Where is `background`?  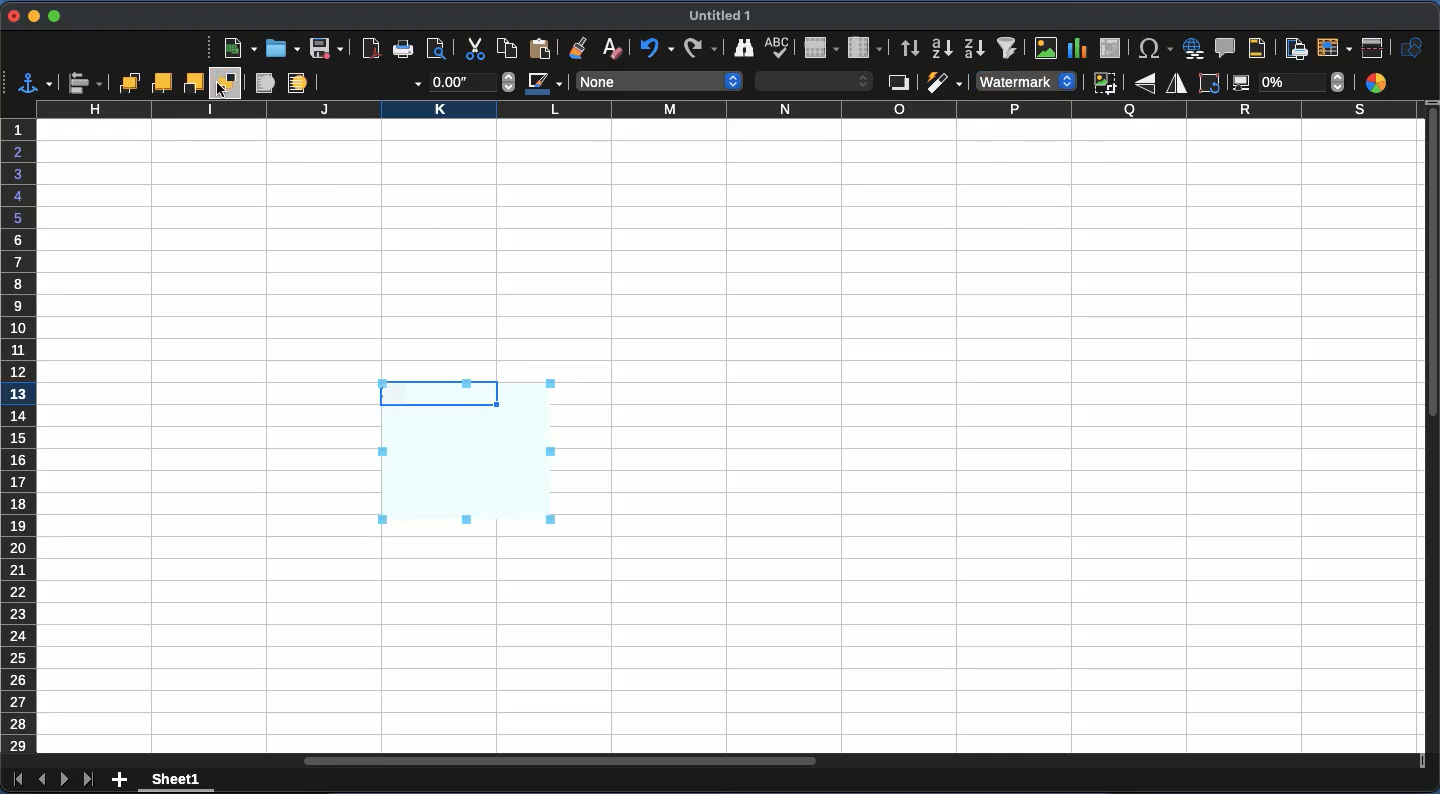
background is located at coordinates (297, 85).